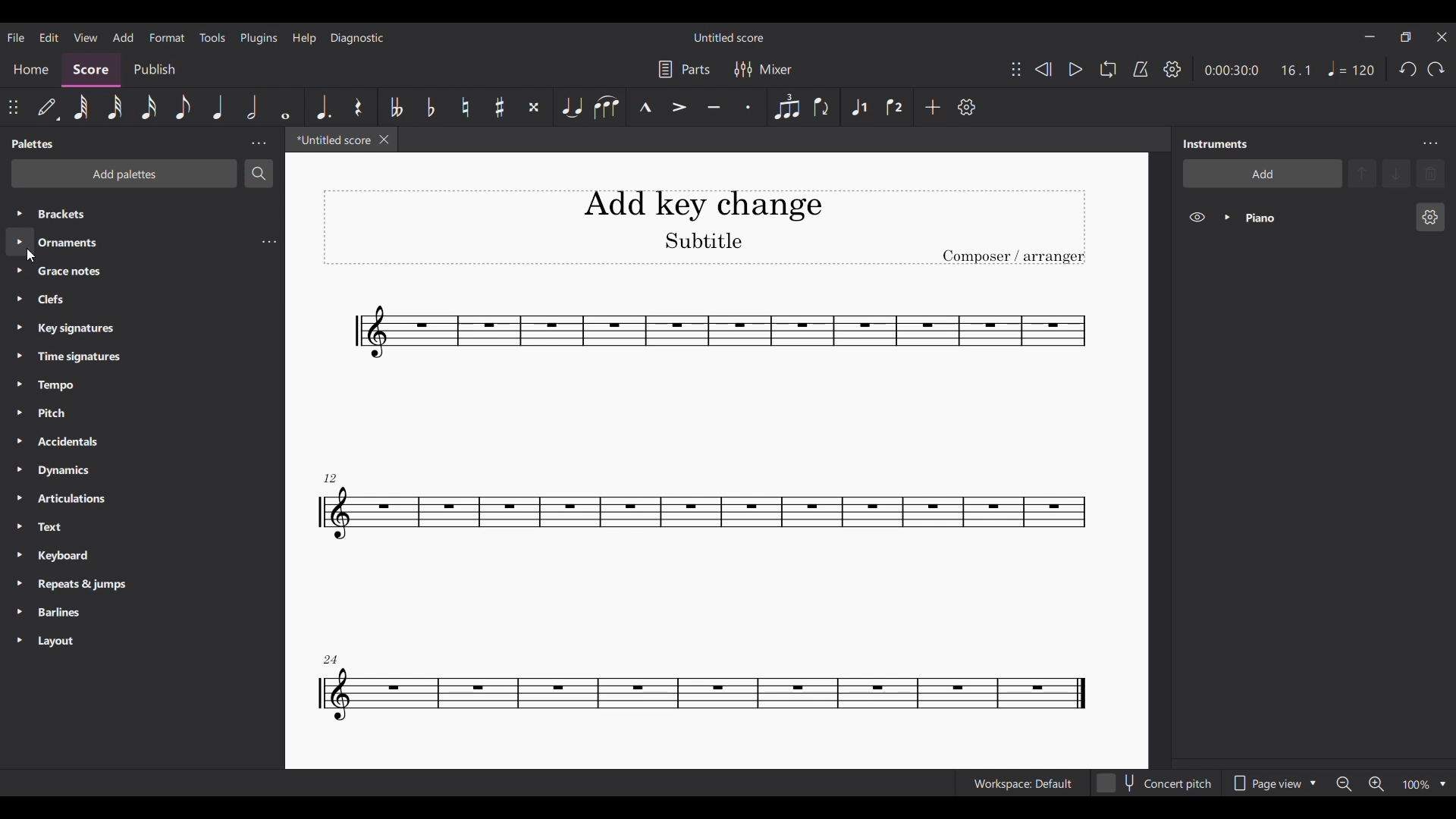  I want to click on File menu, so click(16, 36).